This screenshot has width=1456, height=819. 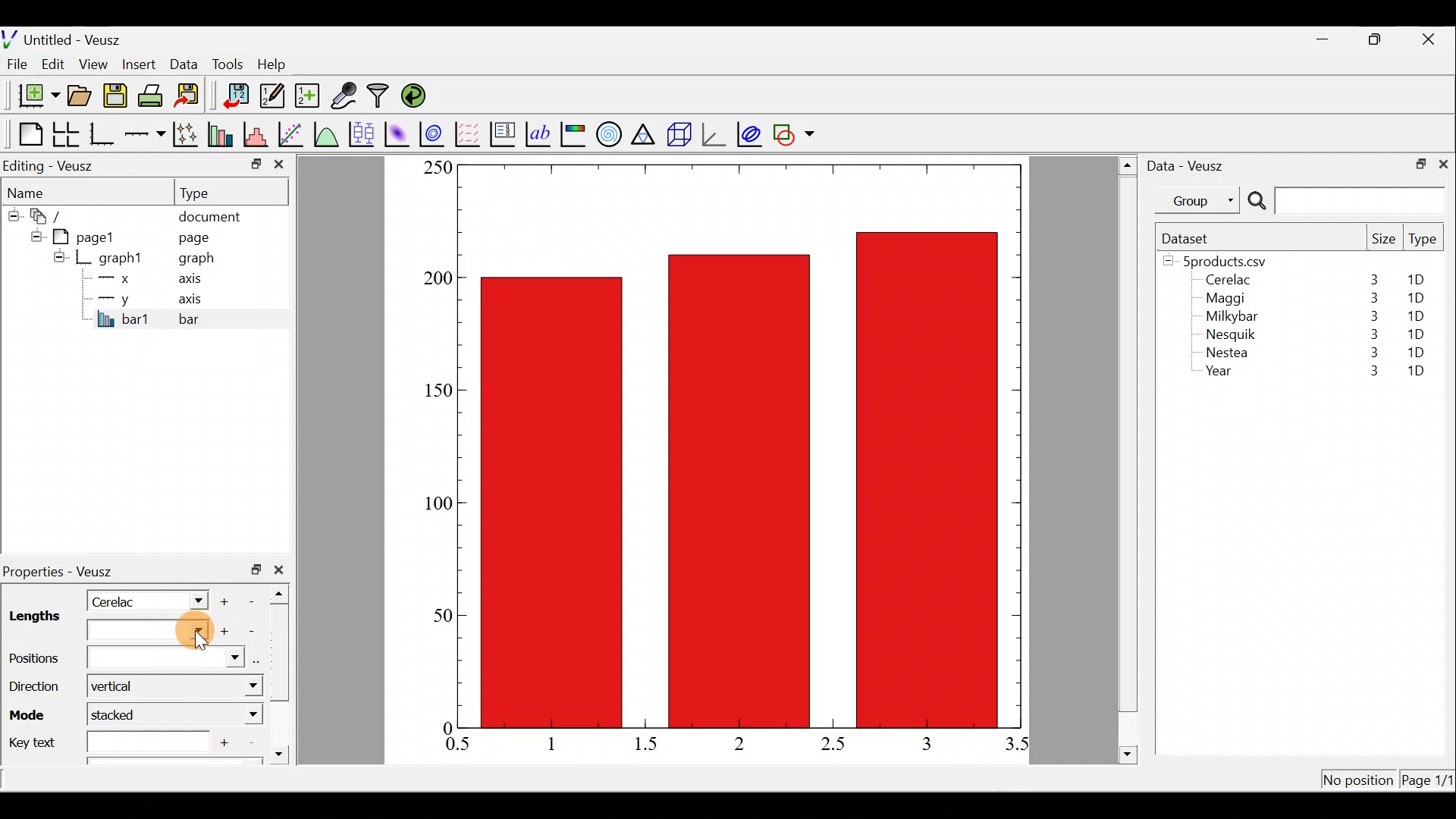 What do you see at coordinates (309, 96) in the screenshot?
I see `Create new dataset using ranges, parametrically, or as functions of existing datasets.` at bounding box center [309, 96].